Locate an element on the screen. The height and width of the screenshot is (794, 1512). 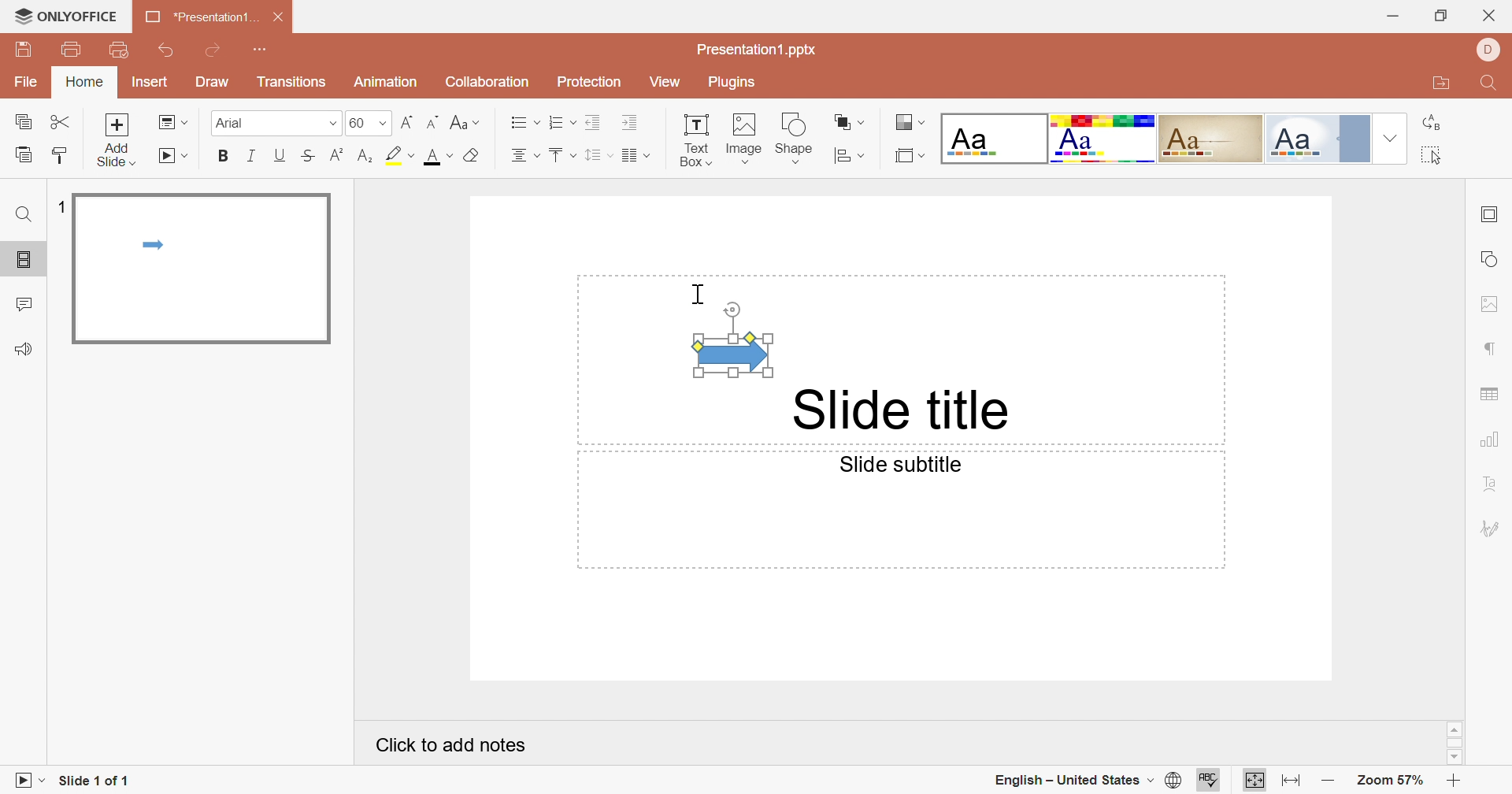
Transitions is located at coordinates (292, 81).